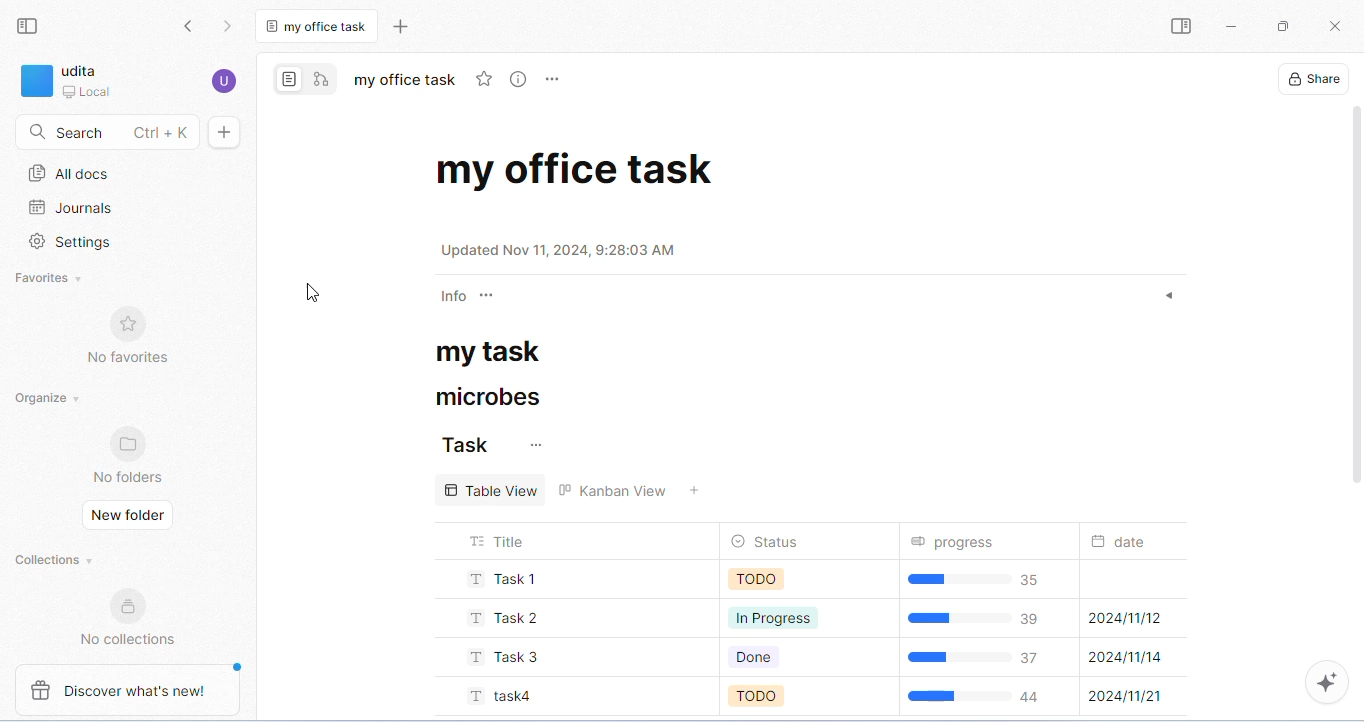 The height and width of the screenshot is (722, 1364). Describe the element at coordinates (75, 241) in the screenshot. I see `settings` at that location.